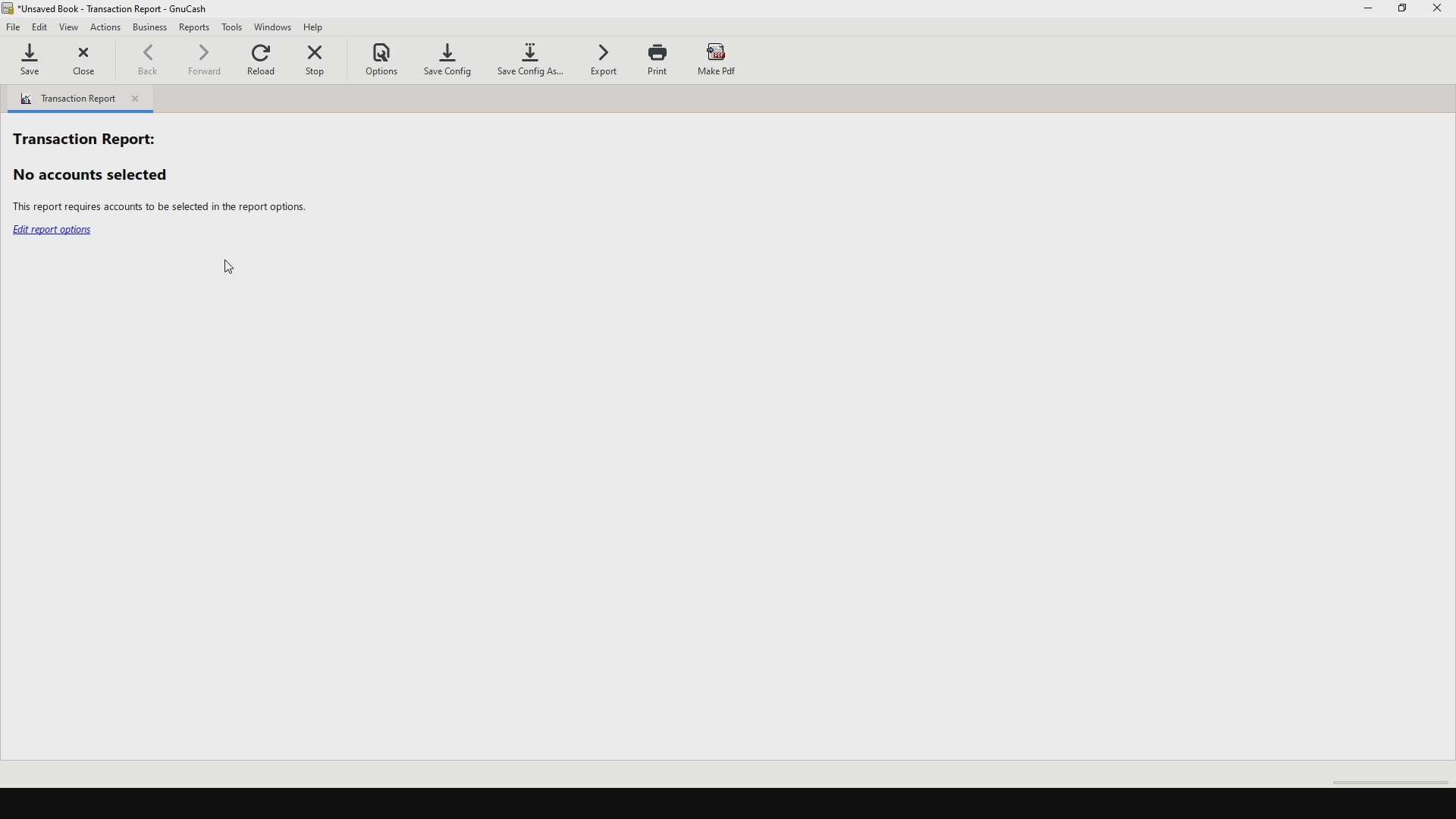  I want to click on save, so click(36, 63).